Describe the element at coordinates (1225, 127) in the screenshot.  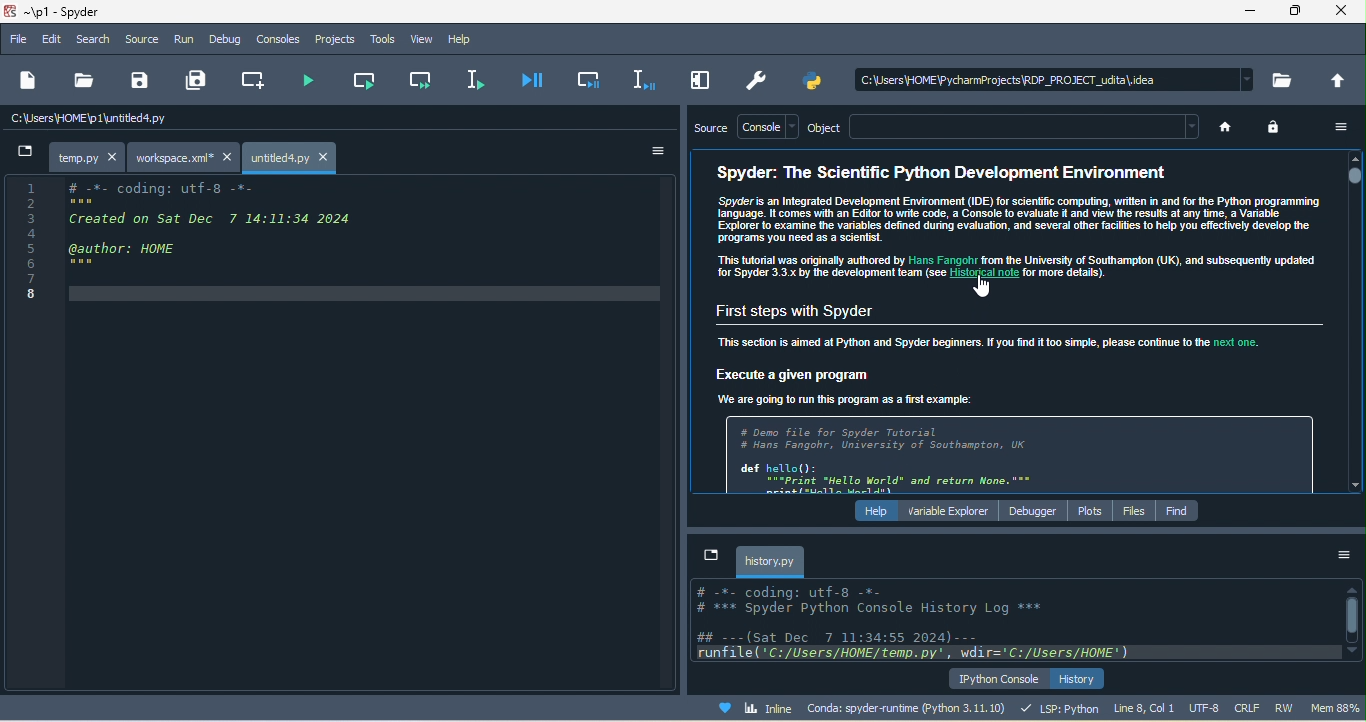
I see `home` at that location.